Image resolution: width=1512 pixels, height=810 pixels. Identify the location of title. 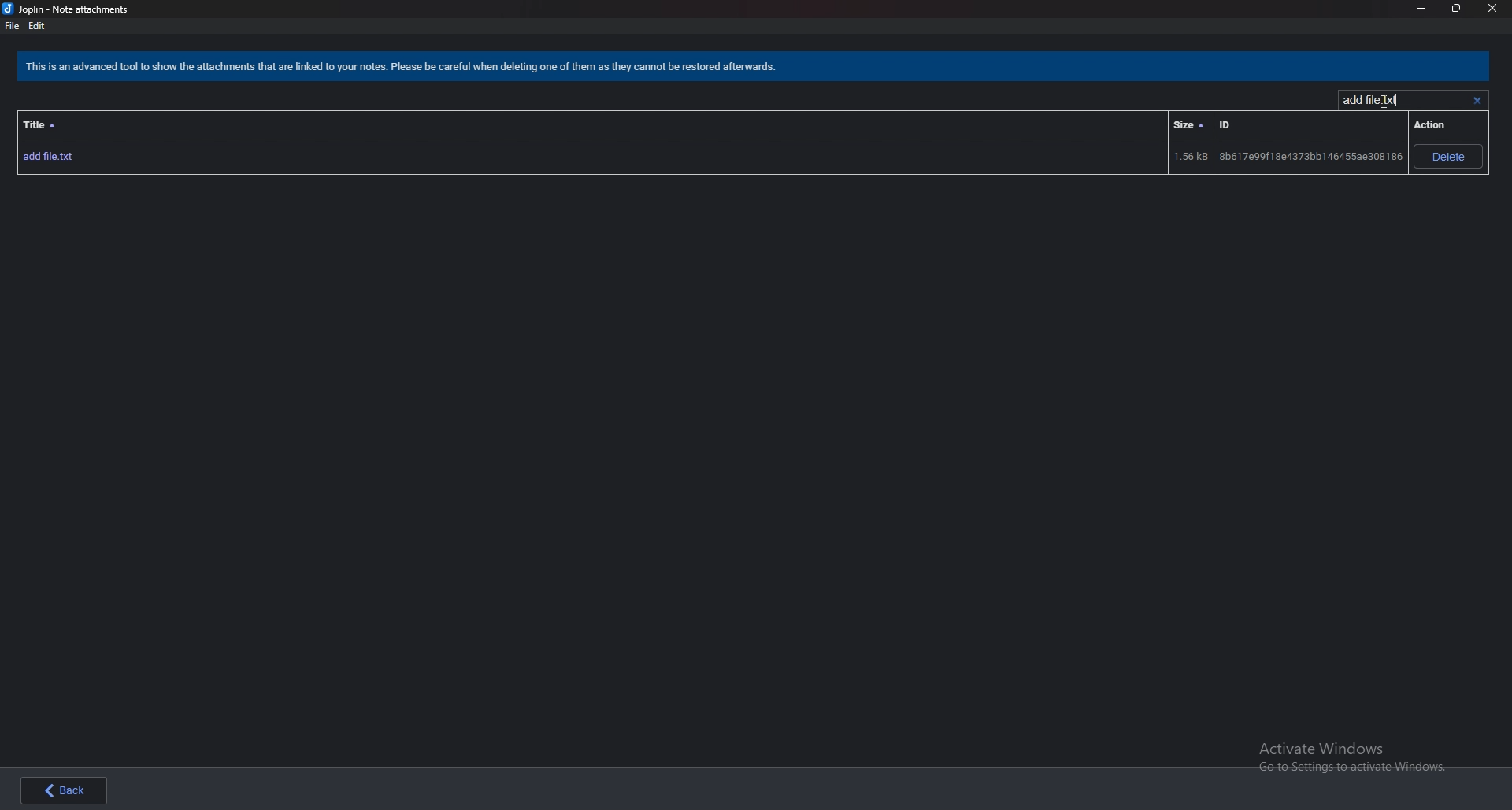
(43, 124).